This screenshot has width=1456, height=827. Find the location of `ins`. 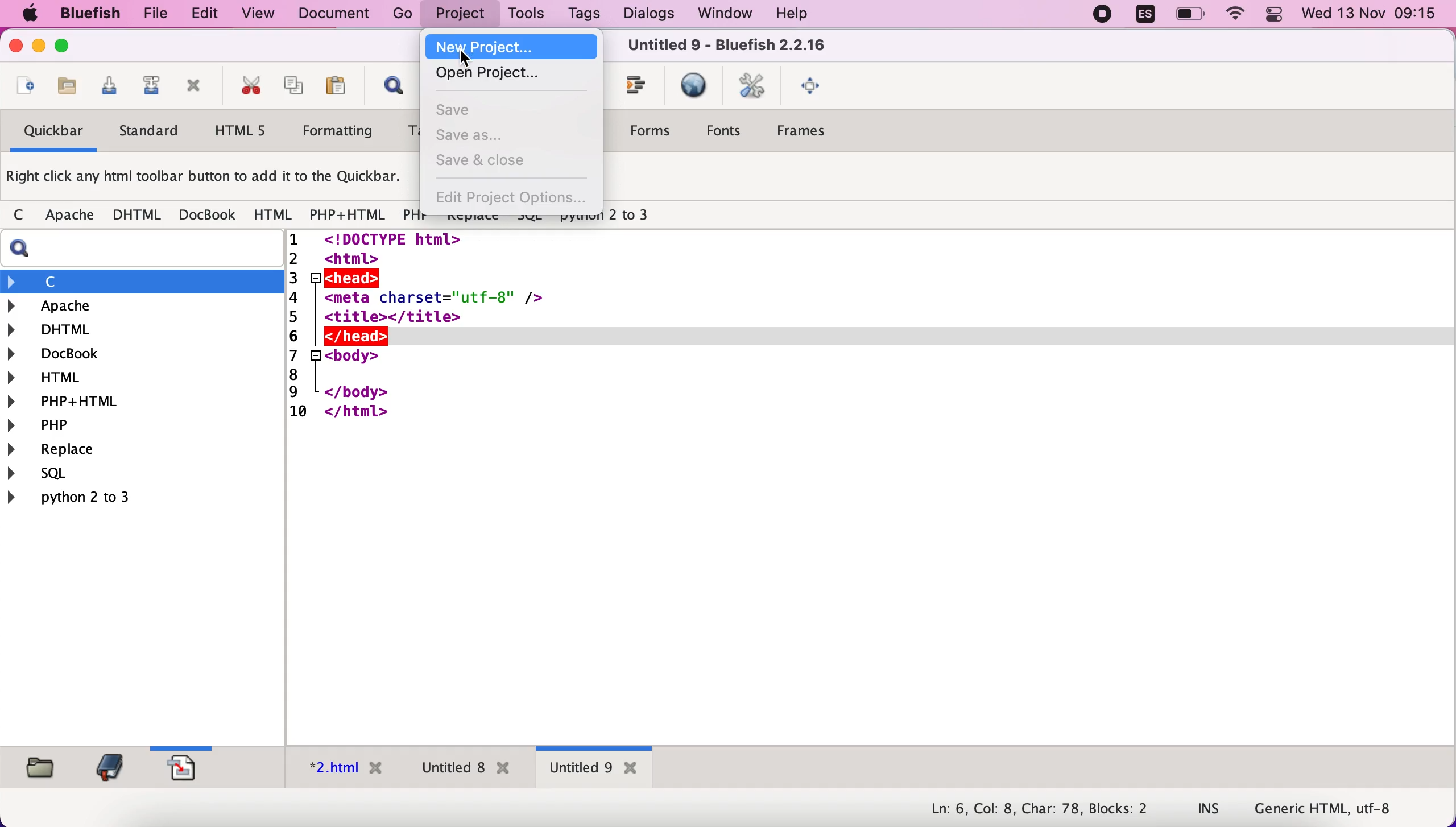

ins is located at coordinates (1209, 810).